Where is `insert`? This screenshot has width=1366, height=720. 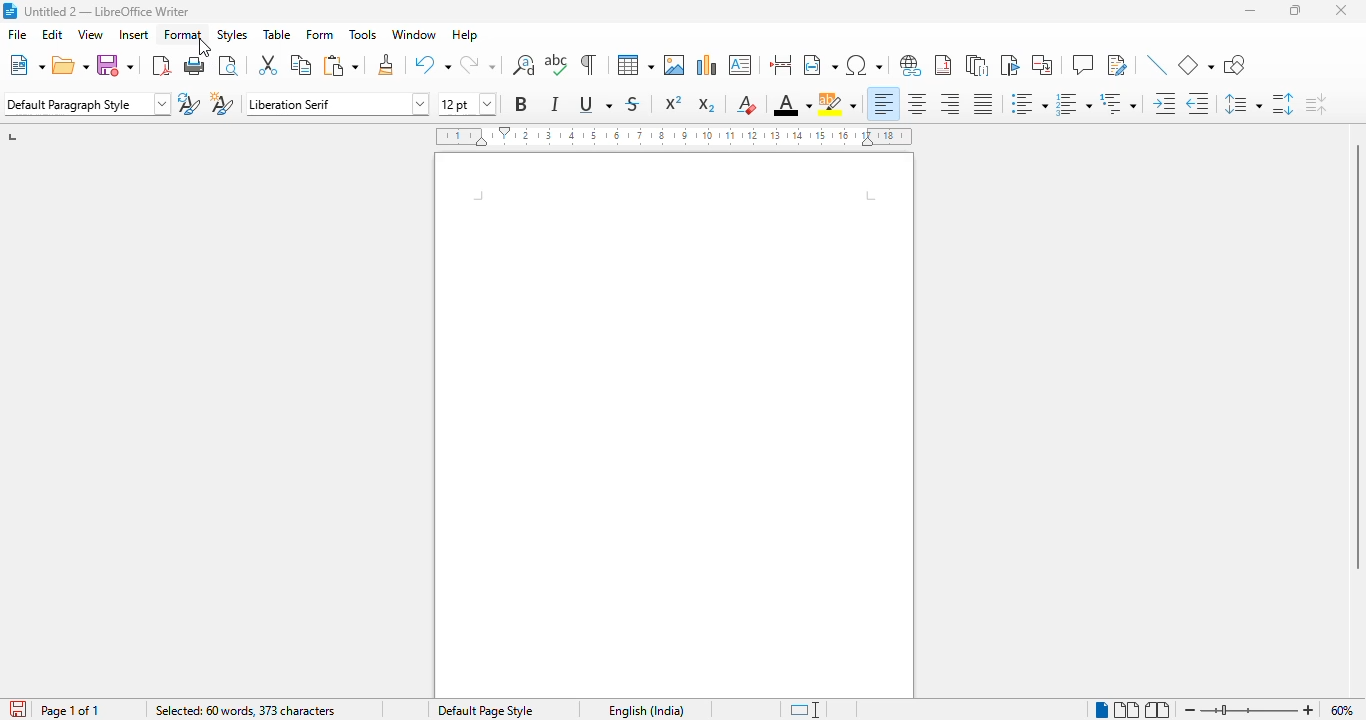
insert is located at coordinates (134, 34).